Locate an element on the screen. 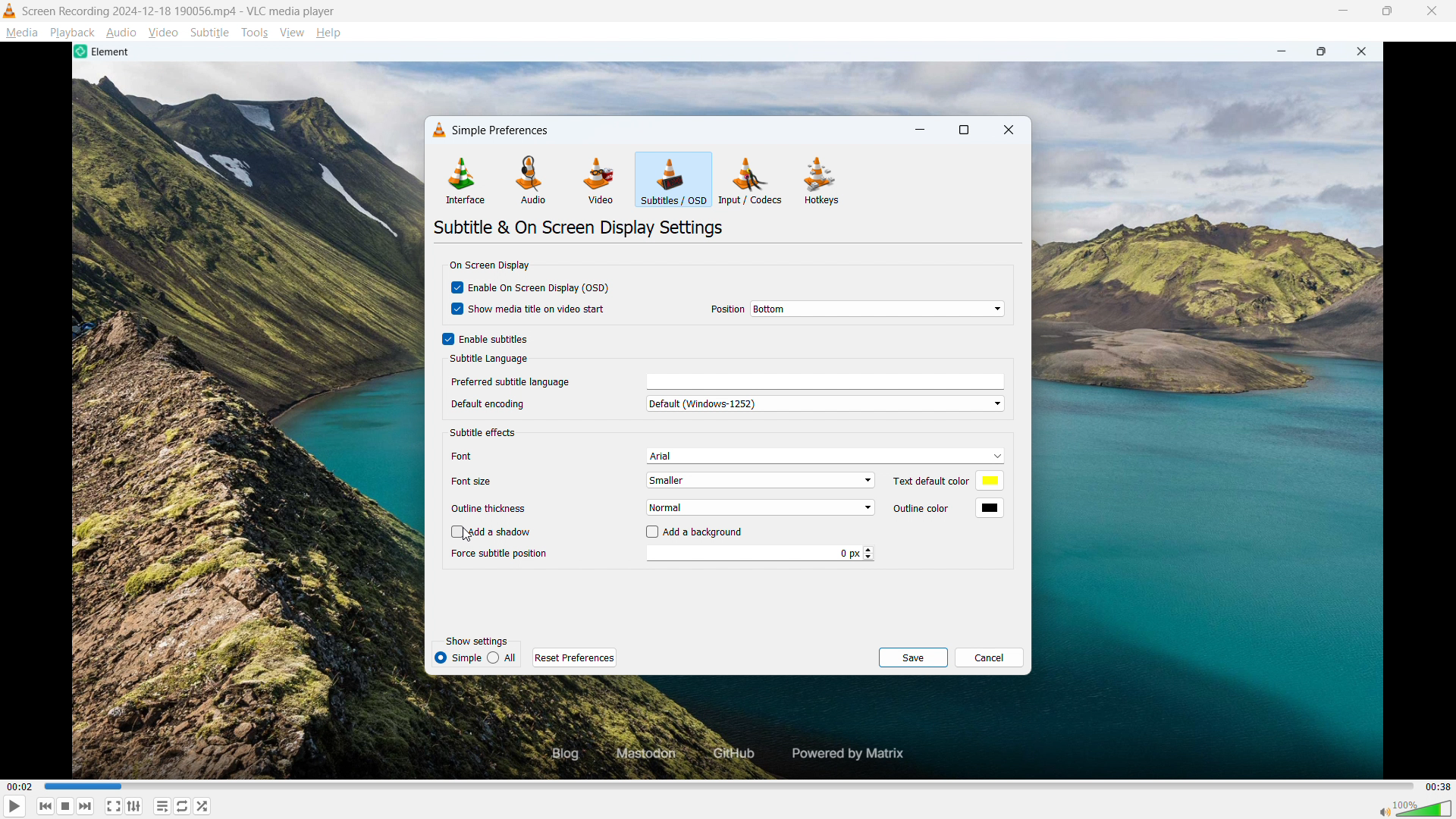  help  is located at coordinates (329, 33).